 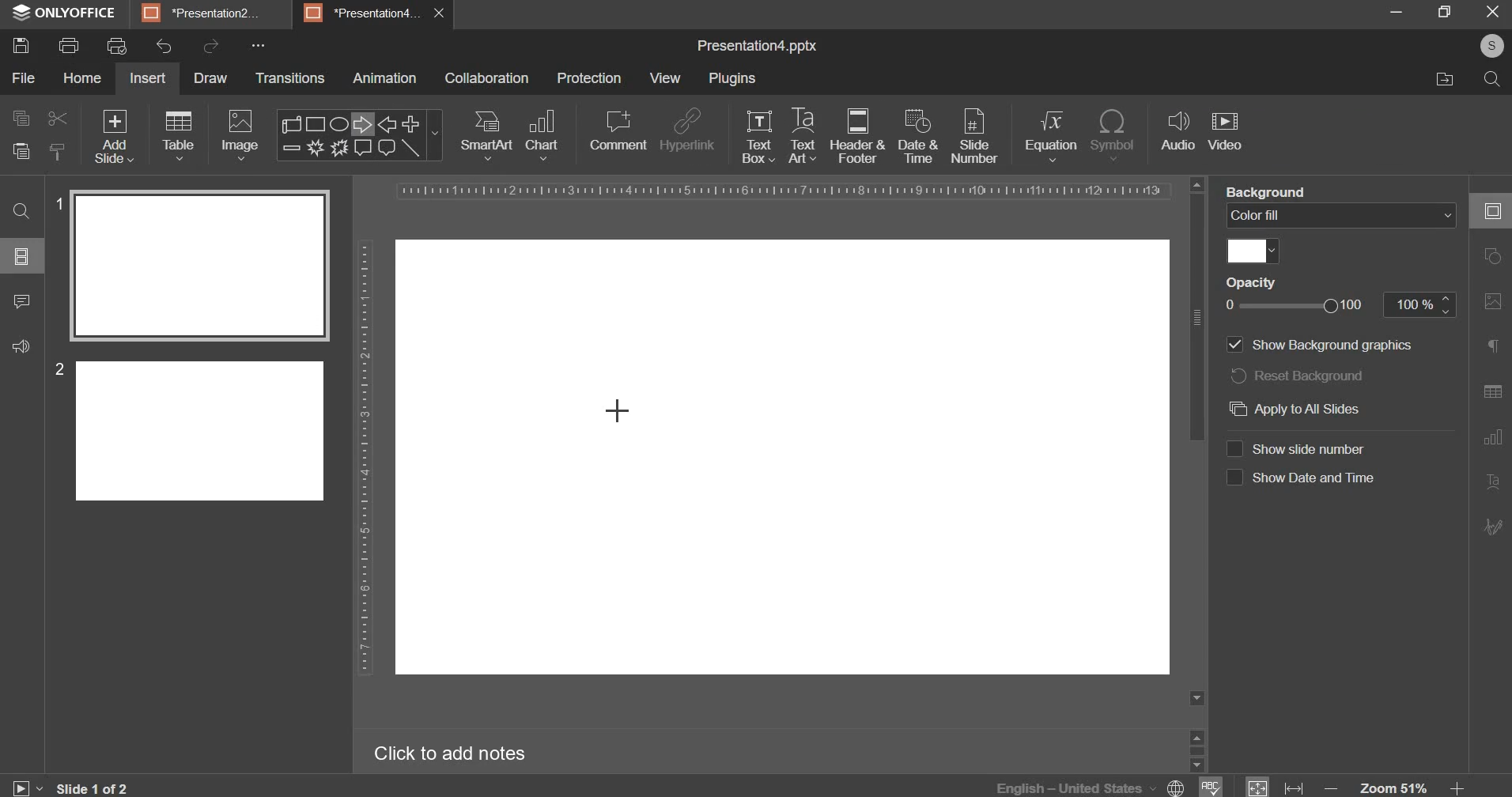 What do you see at coordinates (1273, 784) in the screenshot?
I see `fit` at bounding box center [1273, 784].